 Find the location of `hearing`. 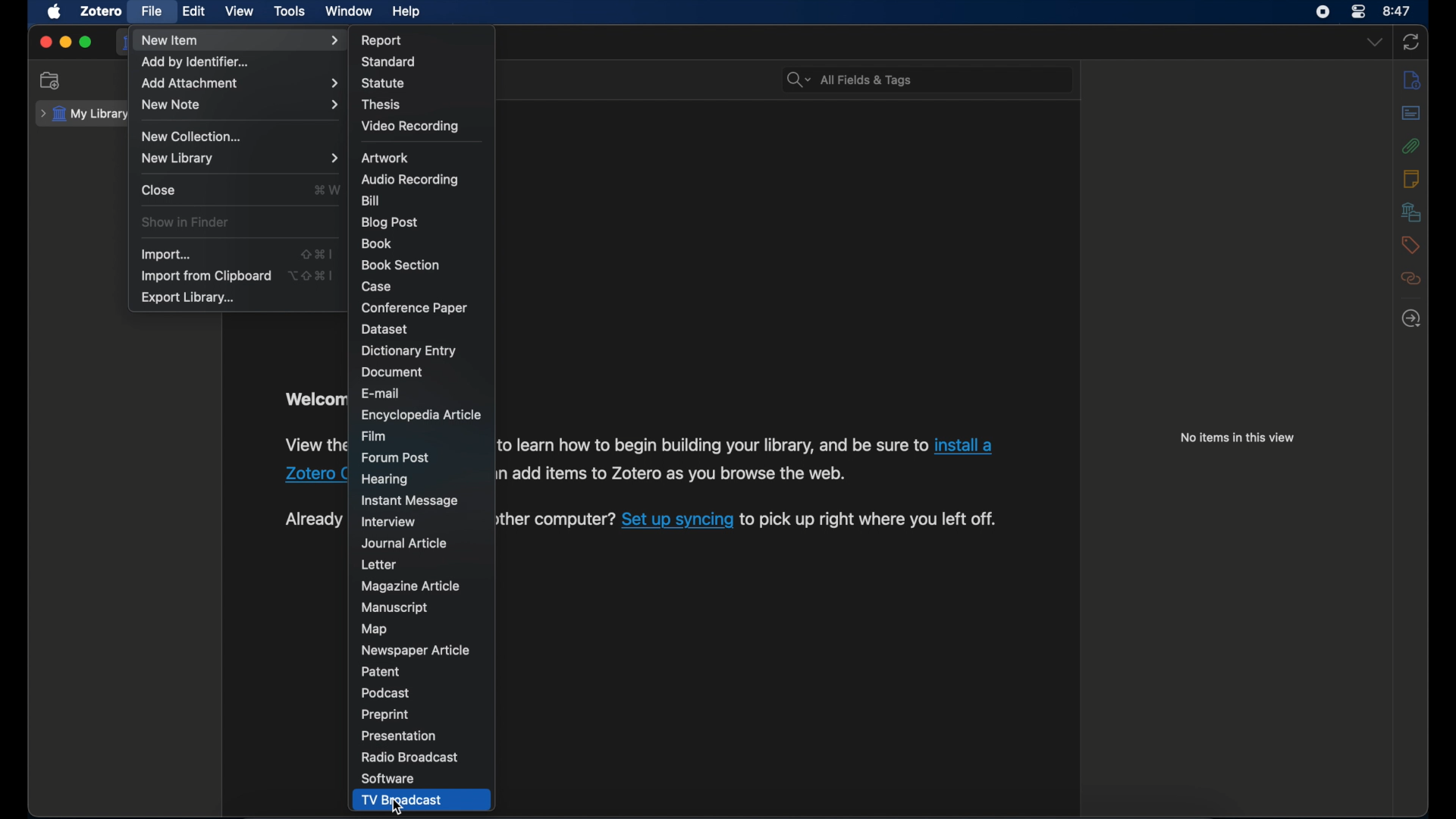

hearing is located at coordinates (385, 478).